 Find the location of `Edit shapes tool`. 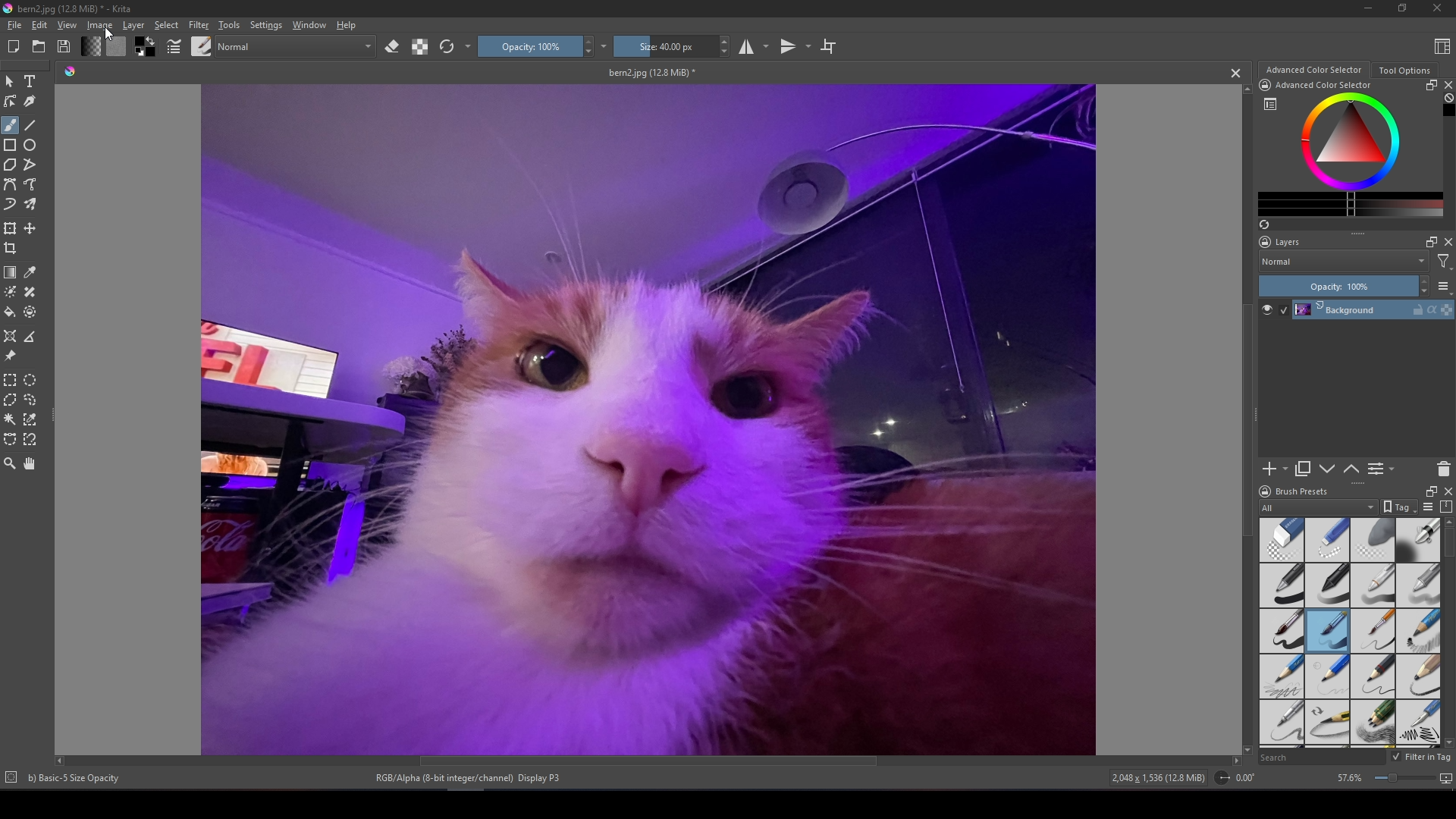

Edit shapes tool is located at coordinates (10, 101).